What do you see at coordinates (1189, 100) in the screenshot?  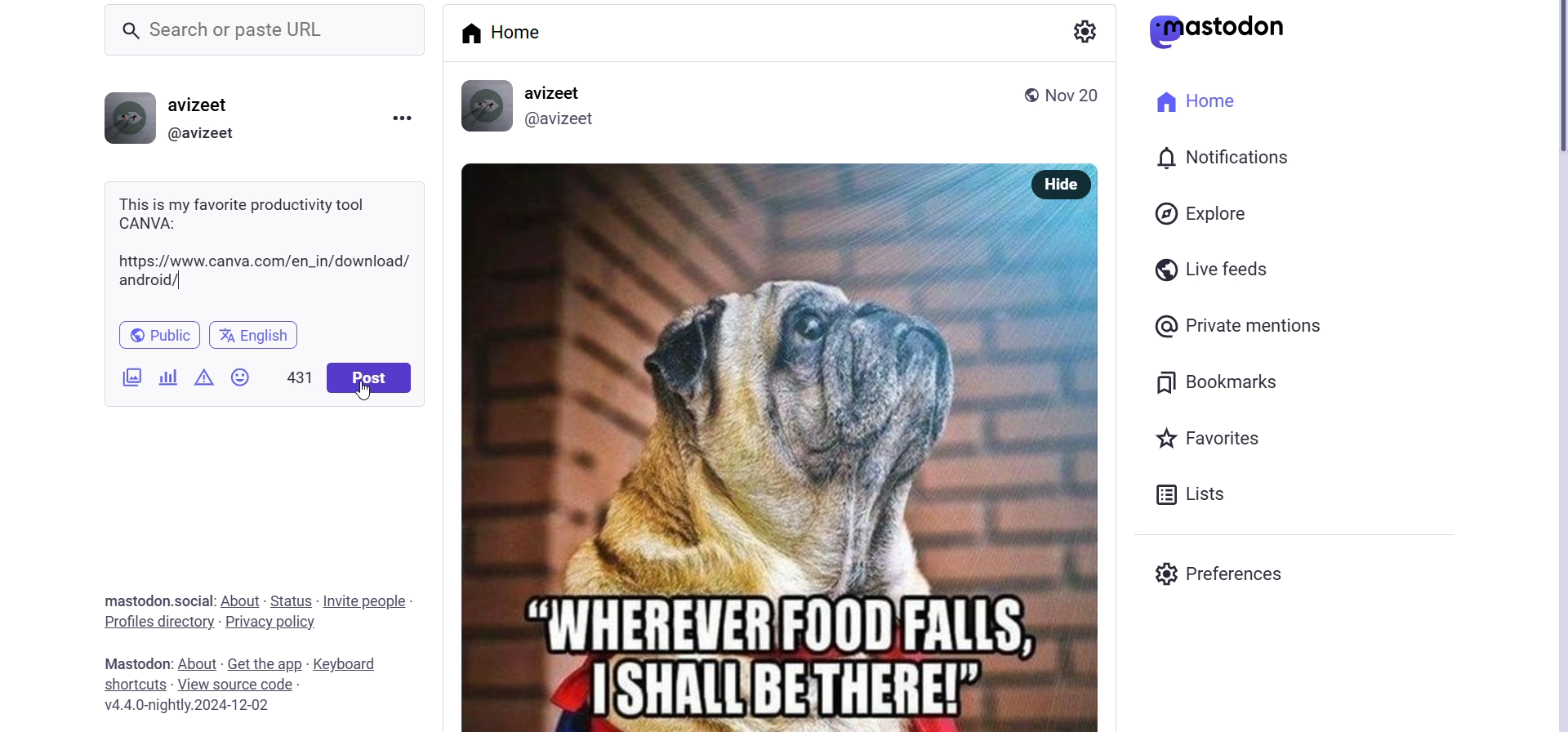 I see `home` at bounding box center [1189, 100].